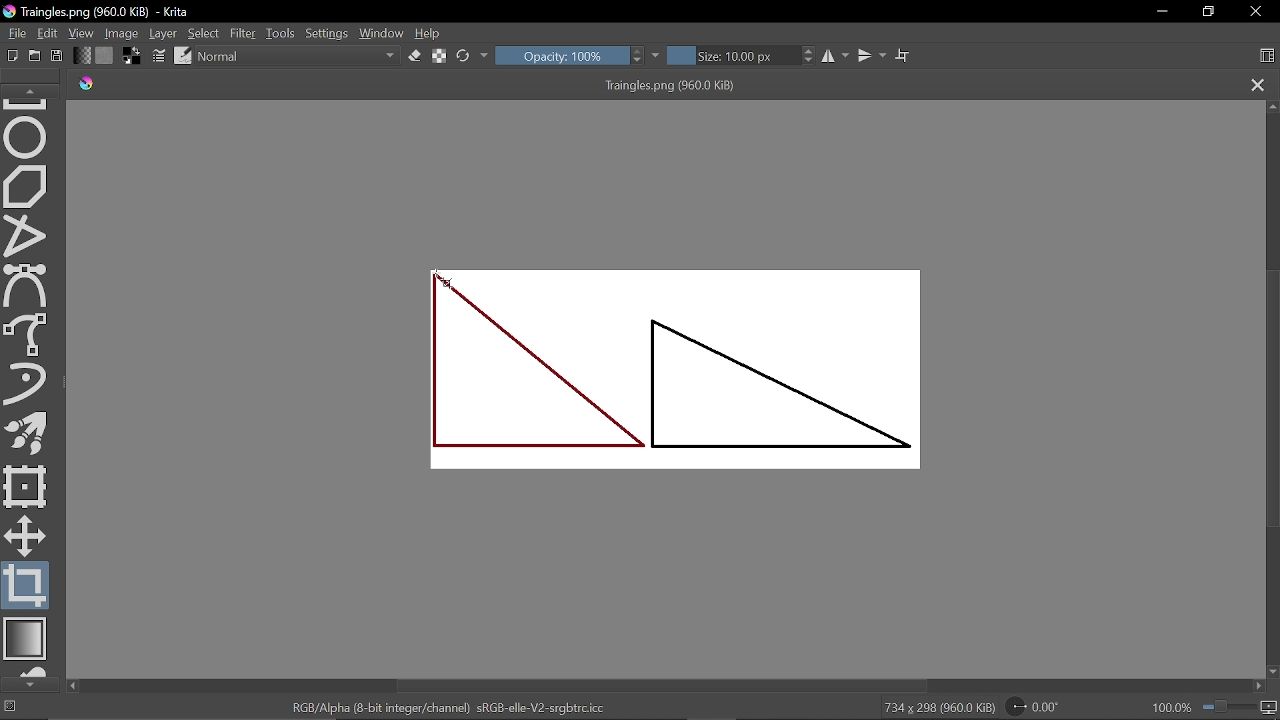 The width and height of the screenshot is (1280, 720). What do you see at coordinates (82, 55) in the screenshot?
I see `Fill gradient` at bounding box center [82, 55].